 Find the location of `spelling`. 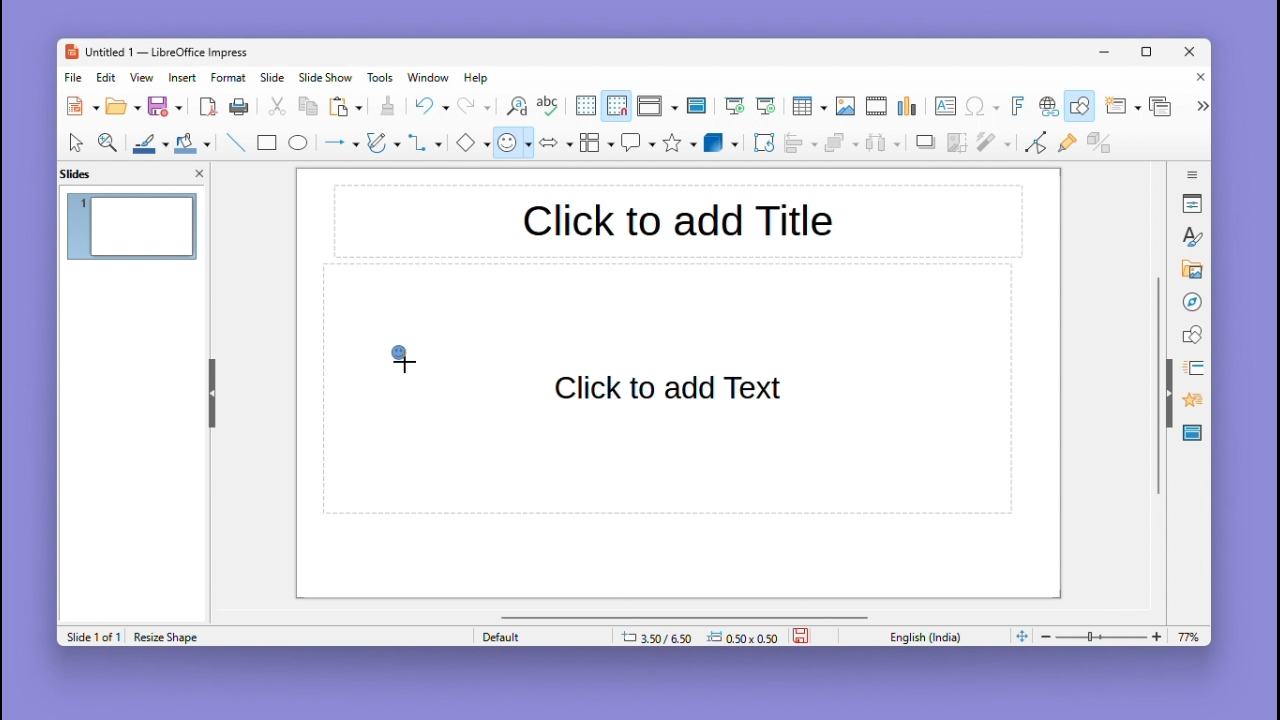

spelling is located at coordinates (548, 107).